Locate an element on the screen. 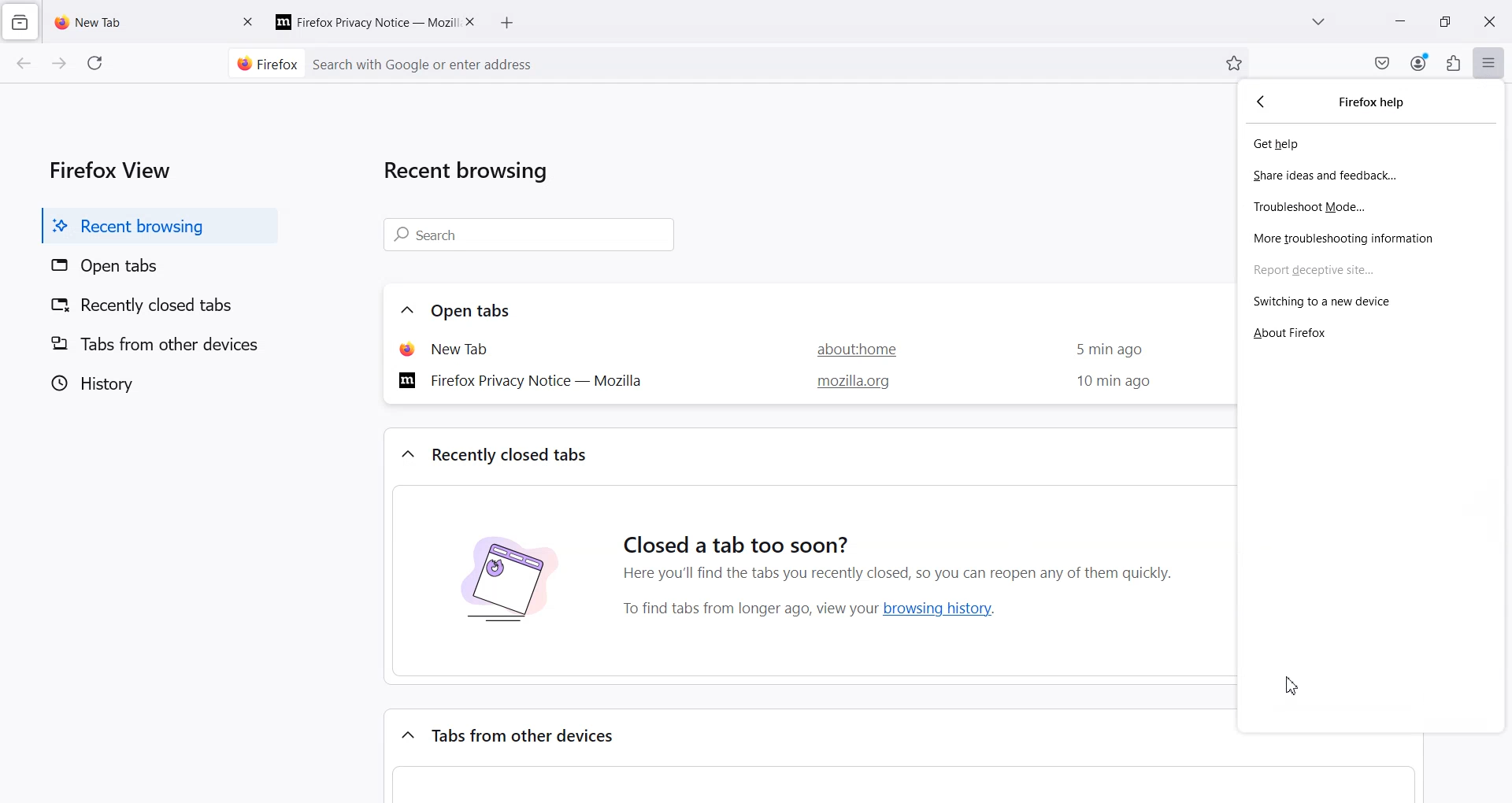  Open tab is located at coordinates (465, 348).